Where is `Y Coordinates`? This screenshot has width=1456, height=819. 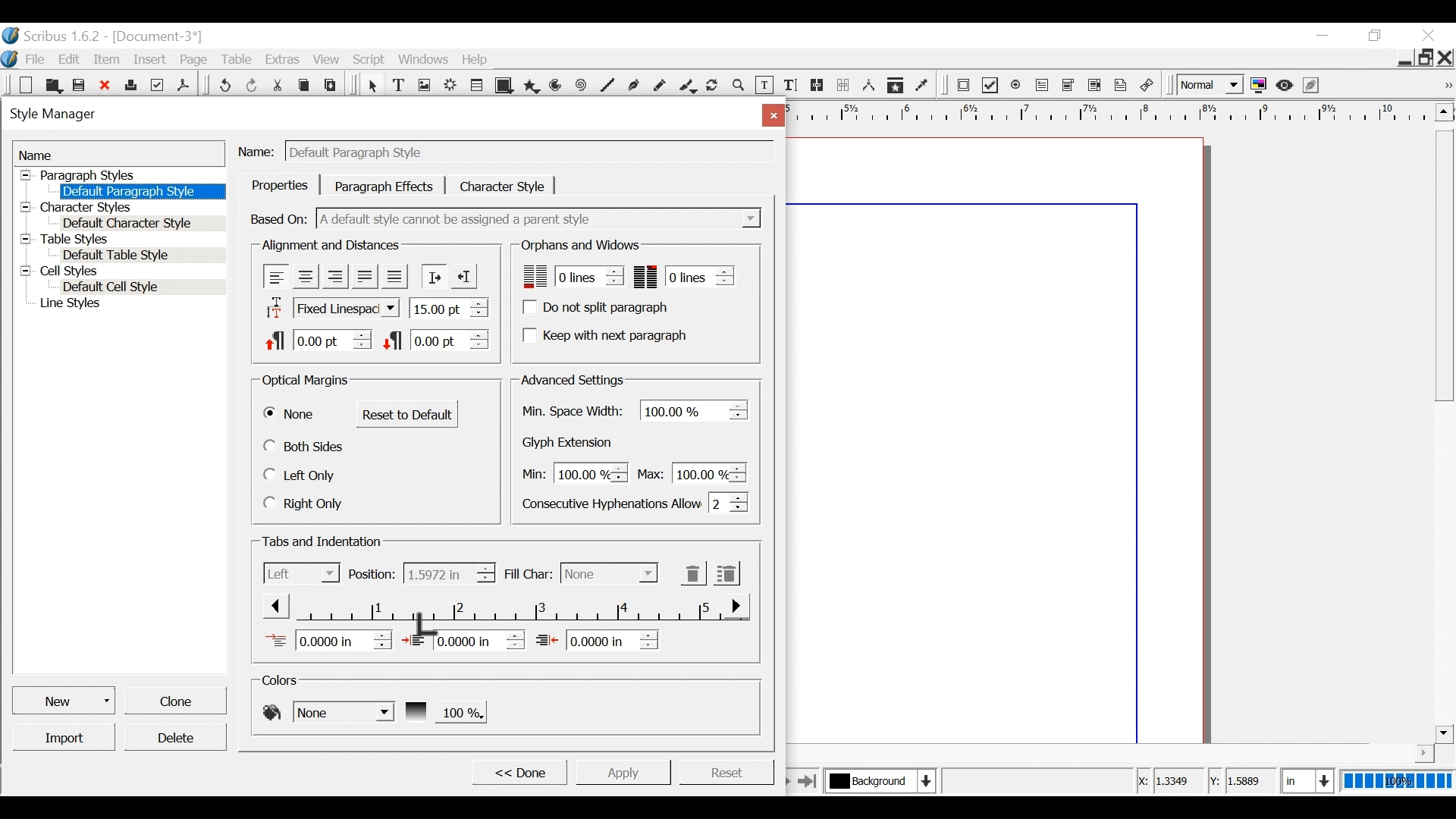
Y Coordinates is located at coordinates (1244, 781).